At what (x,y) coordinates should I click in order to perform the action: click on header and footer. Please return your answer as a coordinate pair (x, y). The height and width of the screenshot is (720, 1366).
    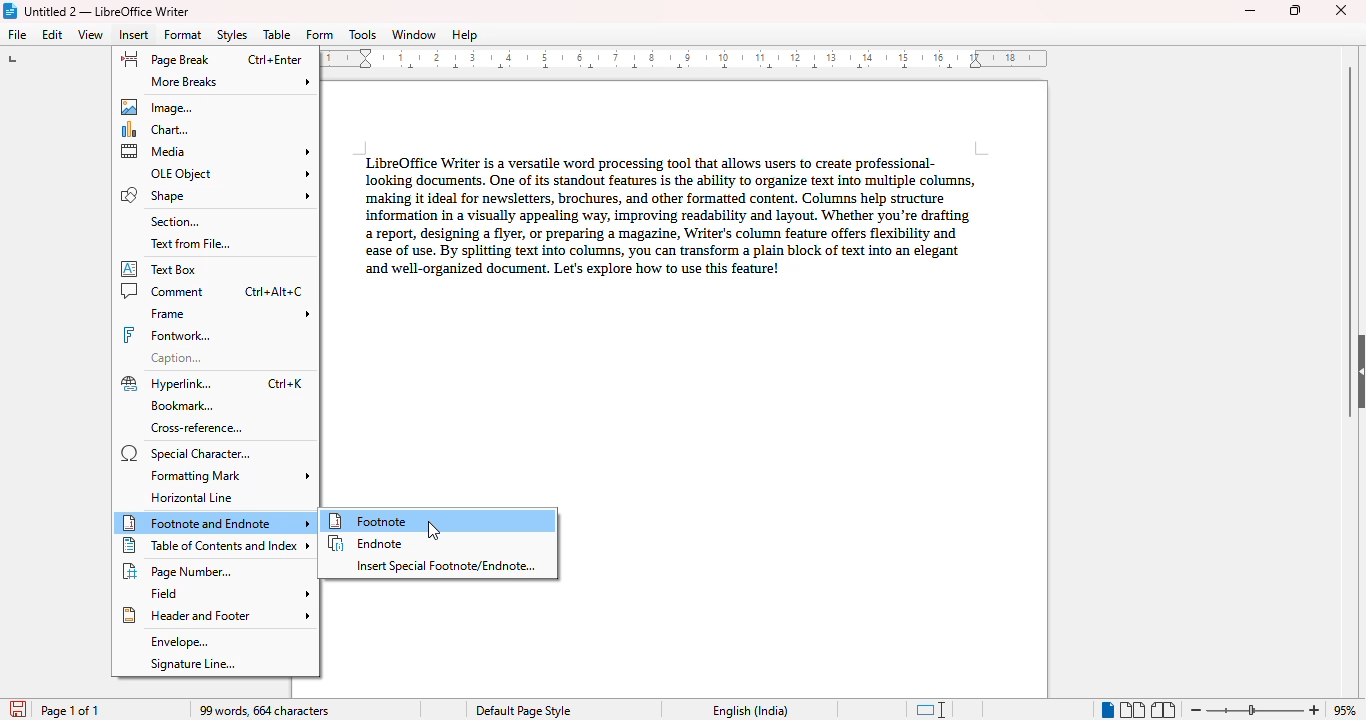
    Looking at the image, I should click on (215, 615).